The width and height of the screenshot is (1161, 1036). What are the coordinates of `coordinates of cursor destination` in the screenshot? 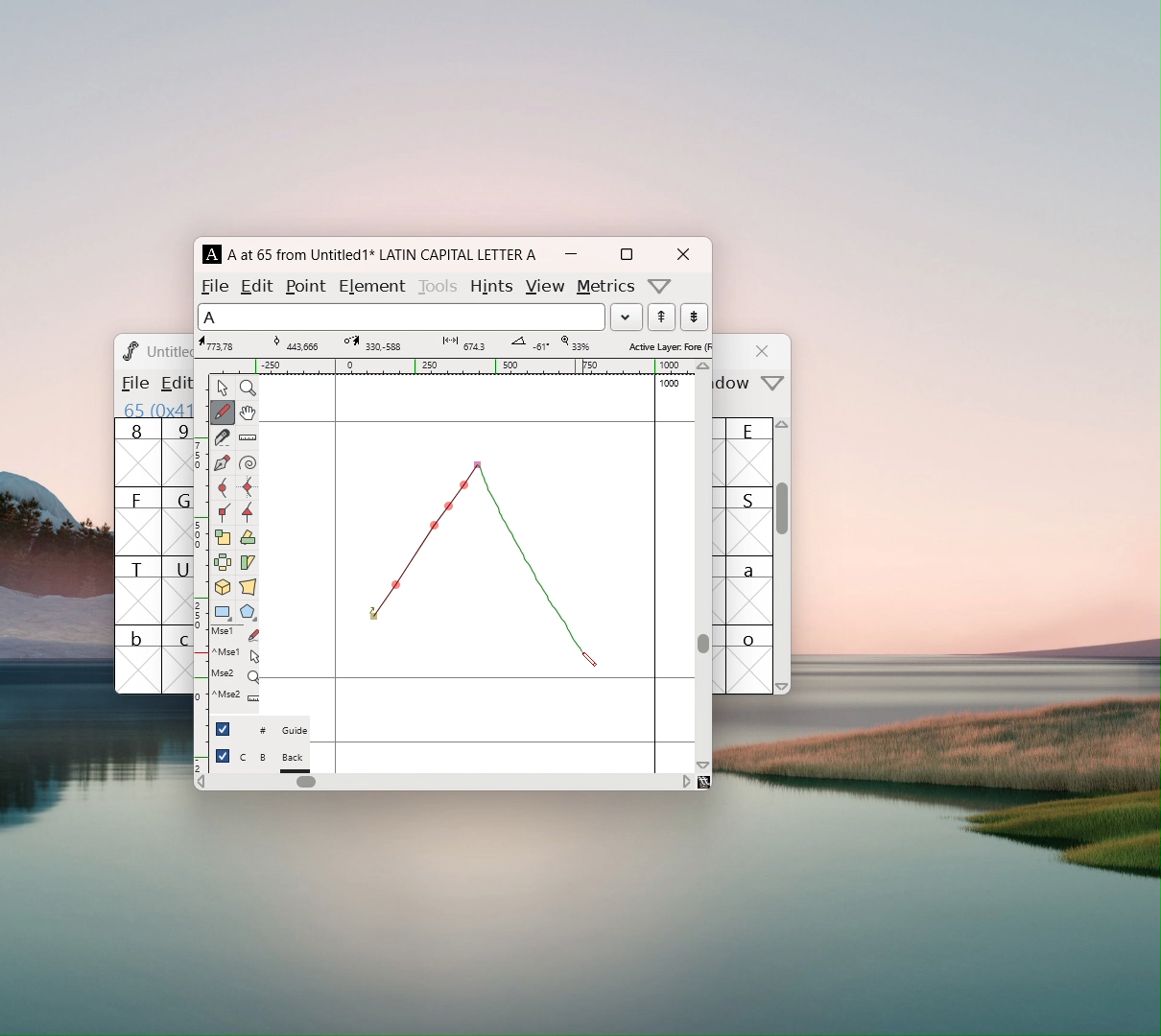 It's located at (370, 343).